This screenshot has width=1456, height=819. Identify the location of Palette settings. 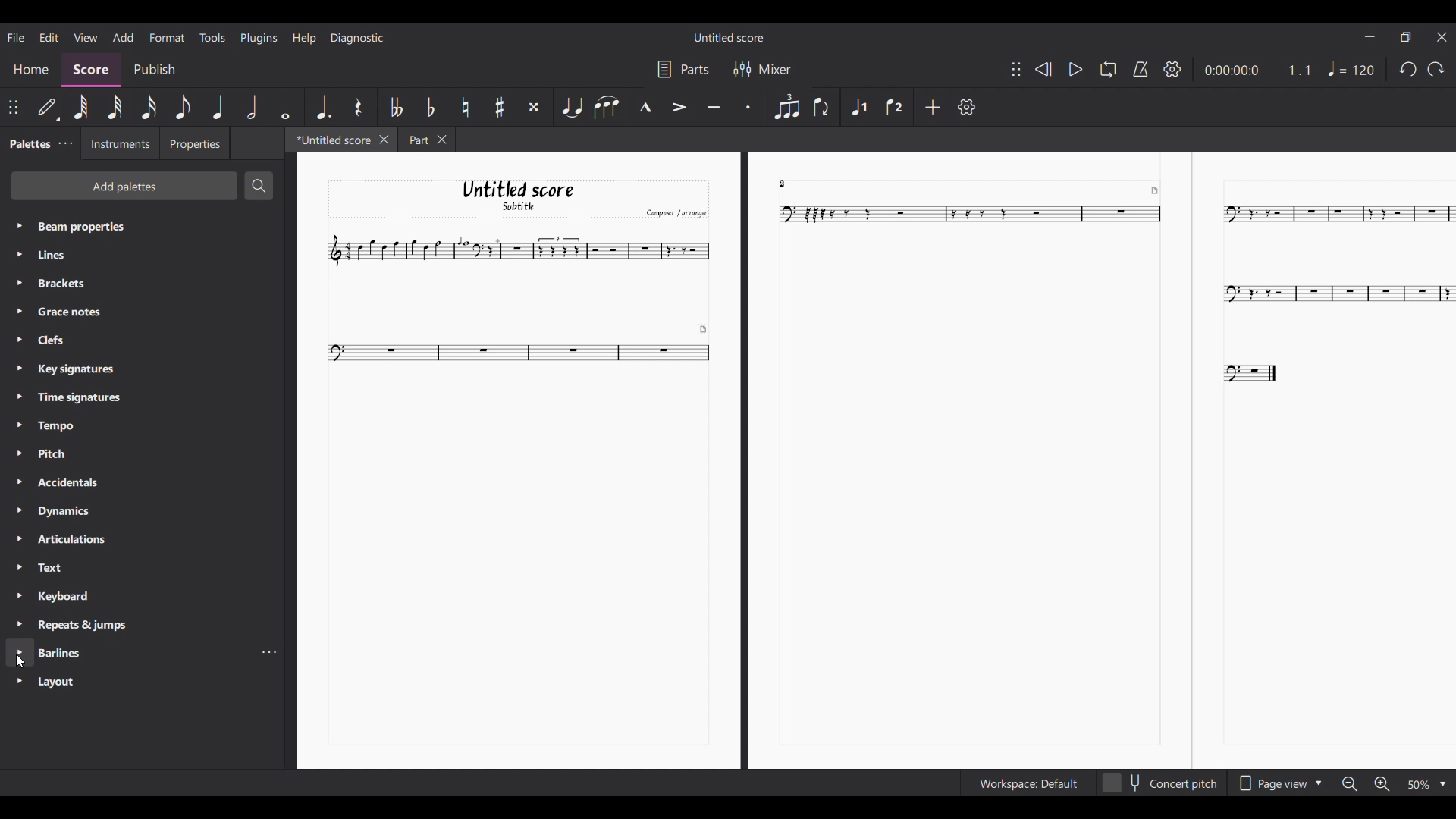
(68, 370).